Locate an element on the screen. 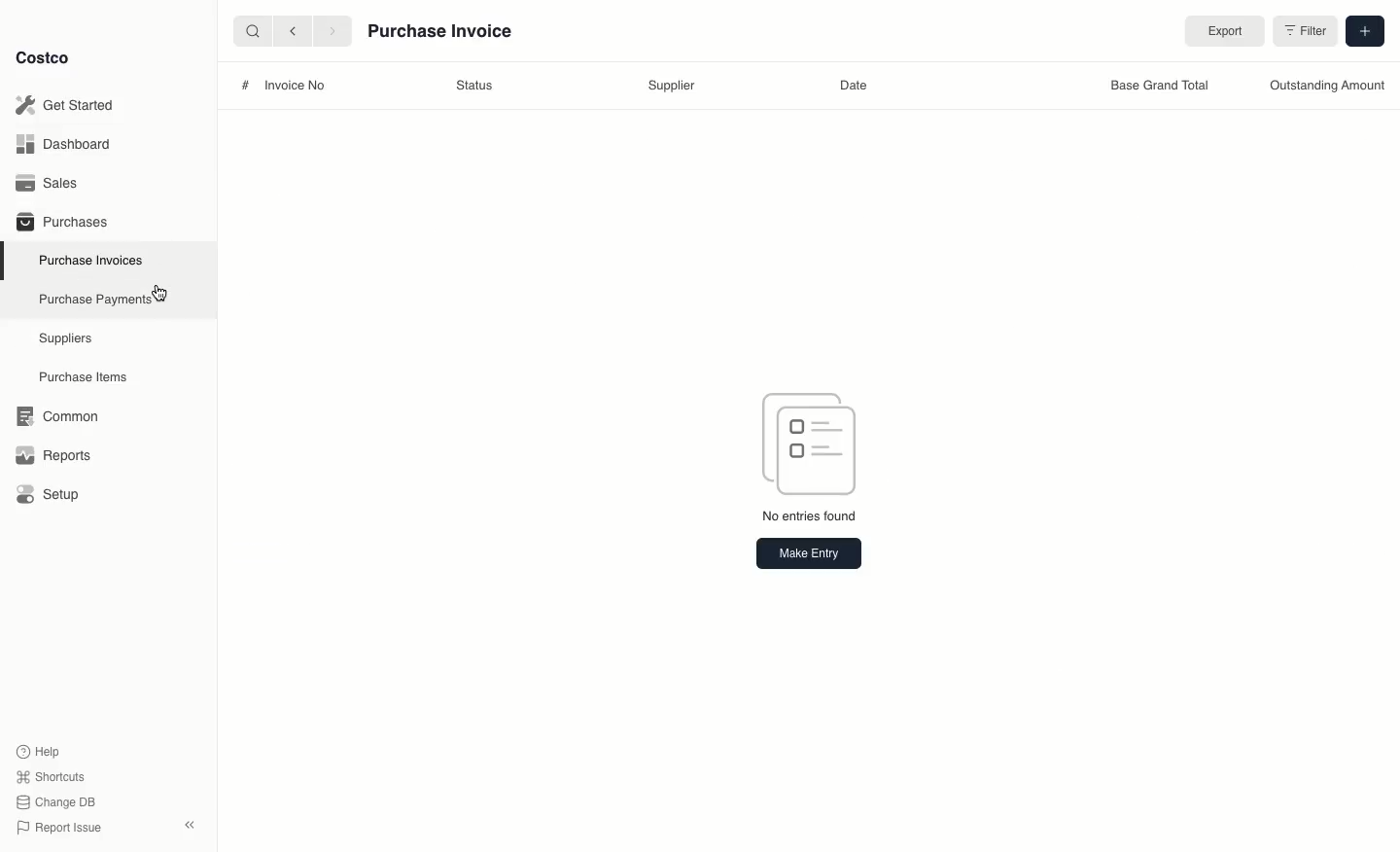 Image resolution: width=1400 pixels, height=852 pixels. Purchase Items is located at coordinates (86, 377).